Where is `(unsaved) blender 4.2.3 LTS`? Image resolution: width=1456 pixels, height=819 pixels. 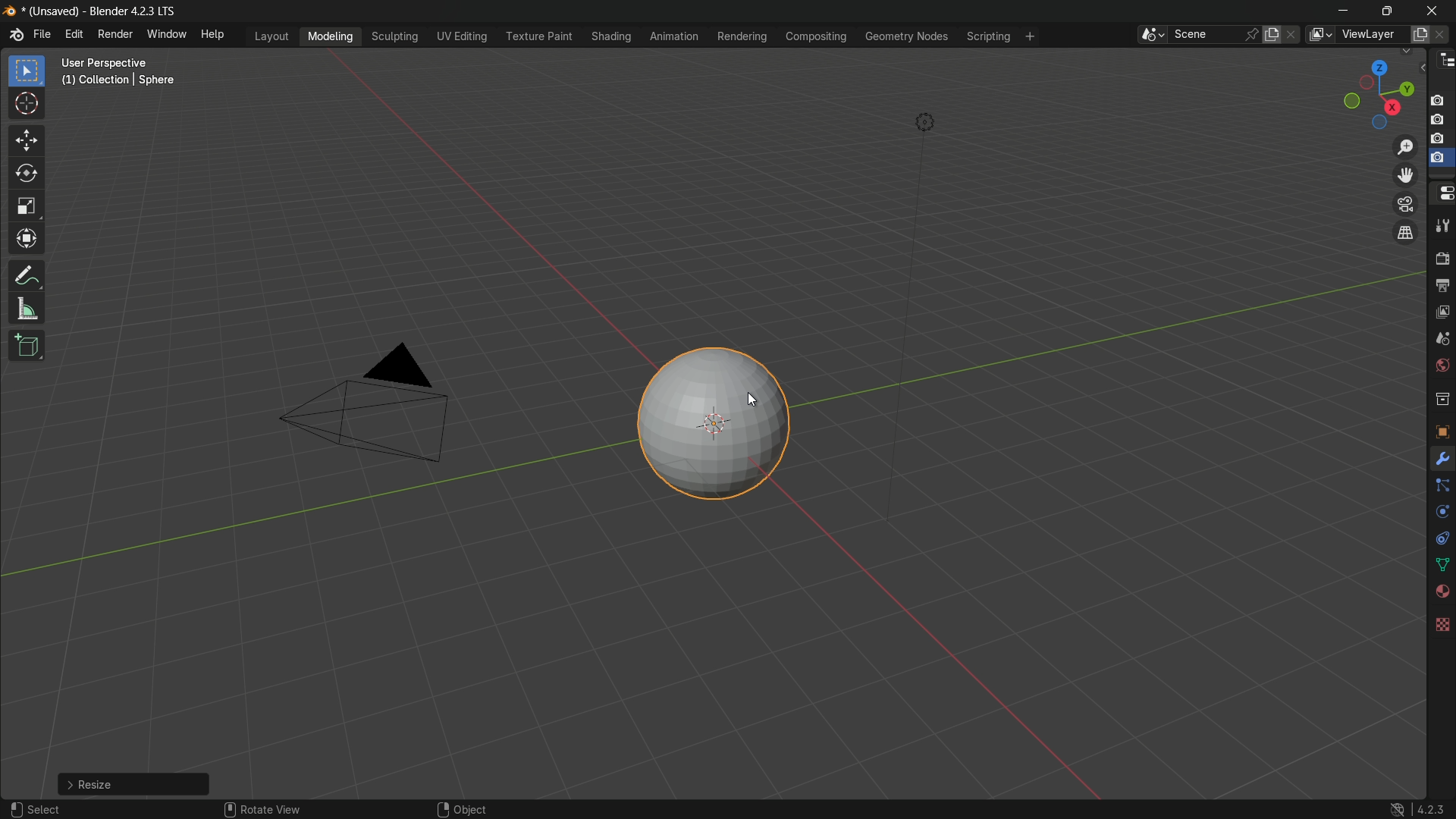
(unsaved) blender 4.2.3 LTS is located at coordinates (89, 12).